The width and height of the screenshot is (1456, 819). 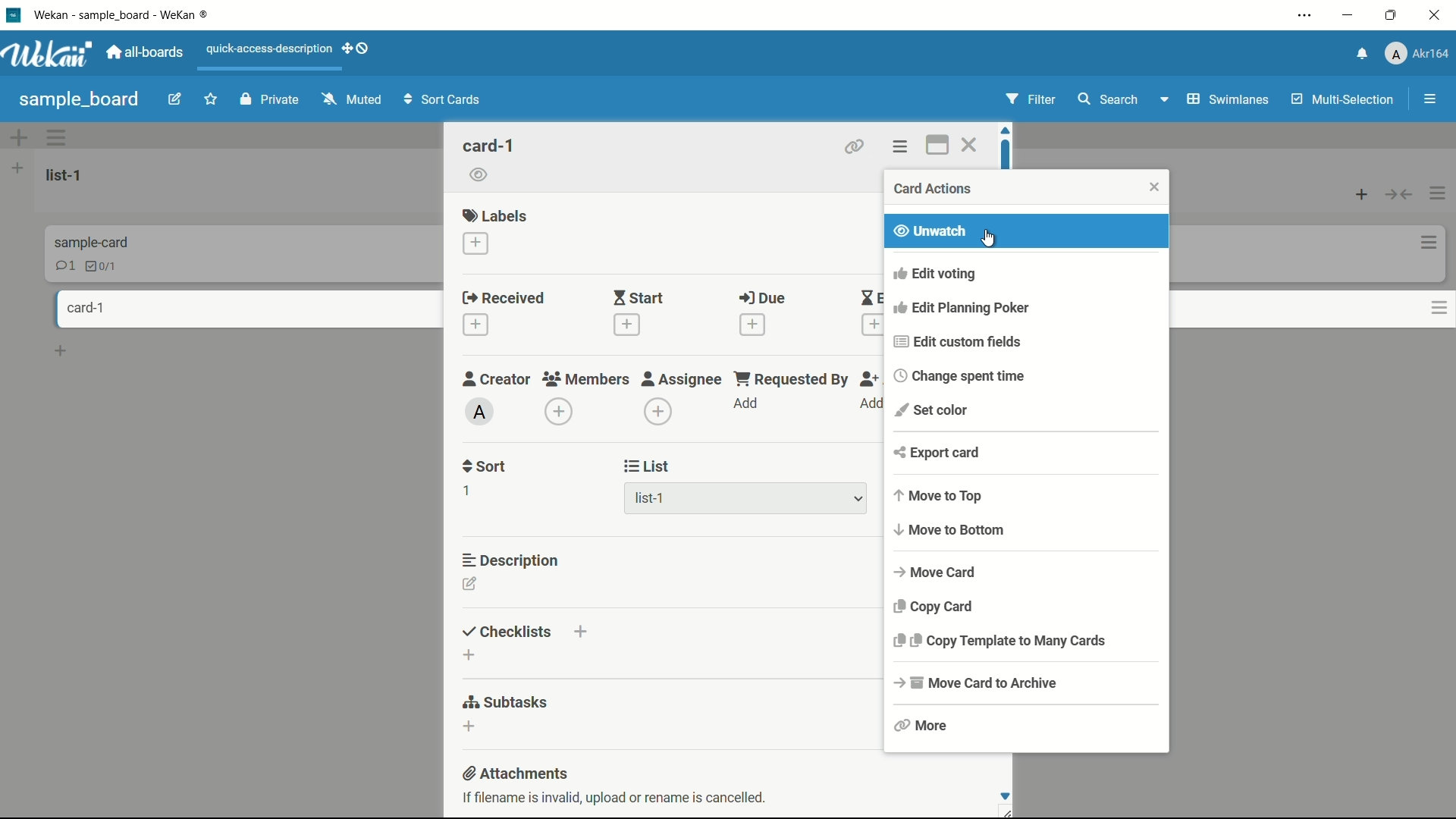 I want to click on sort cards, so click(x=447, y=99).